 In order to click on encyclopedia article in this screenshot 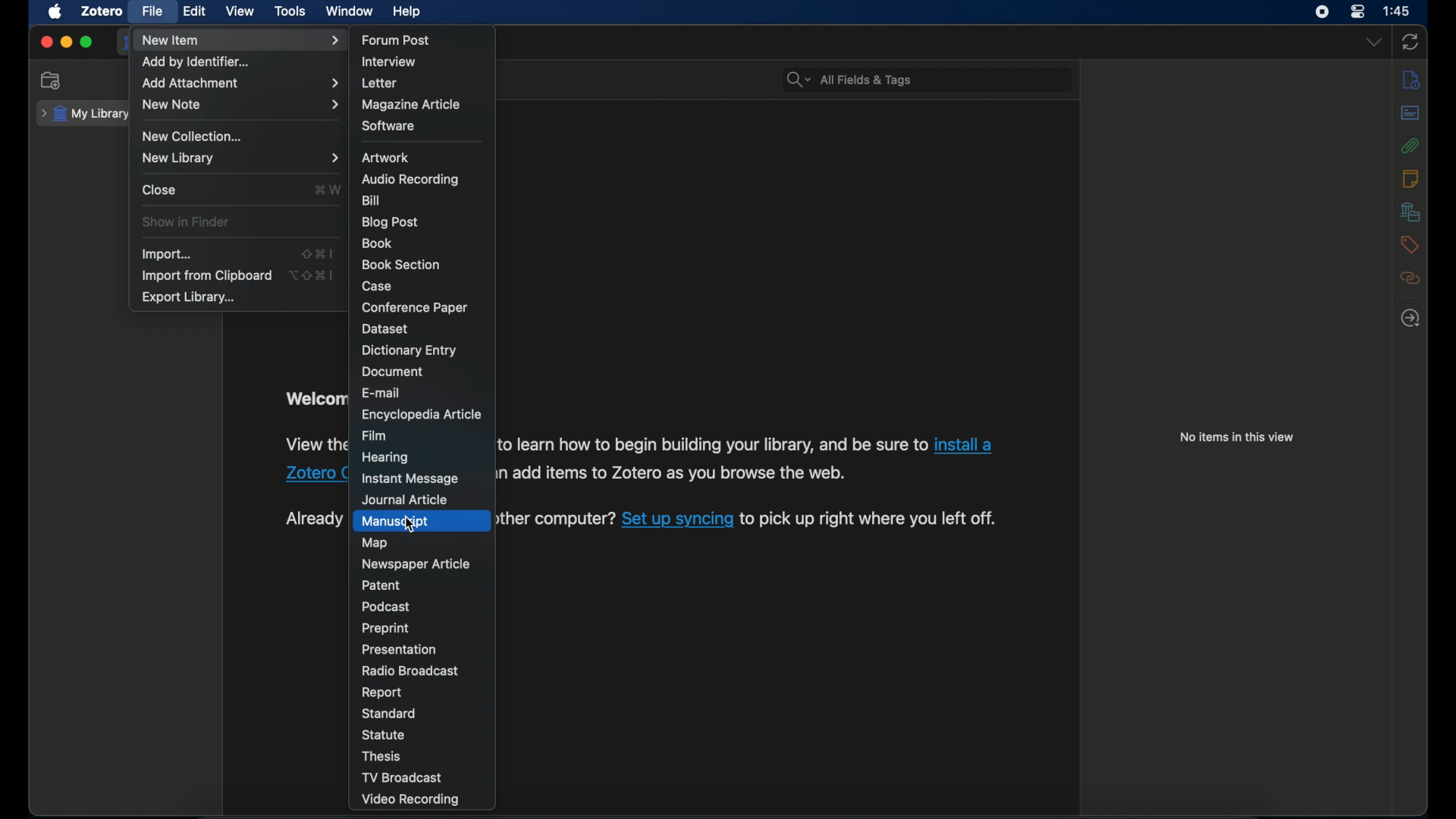, I will do `click(422, 415)`.